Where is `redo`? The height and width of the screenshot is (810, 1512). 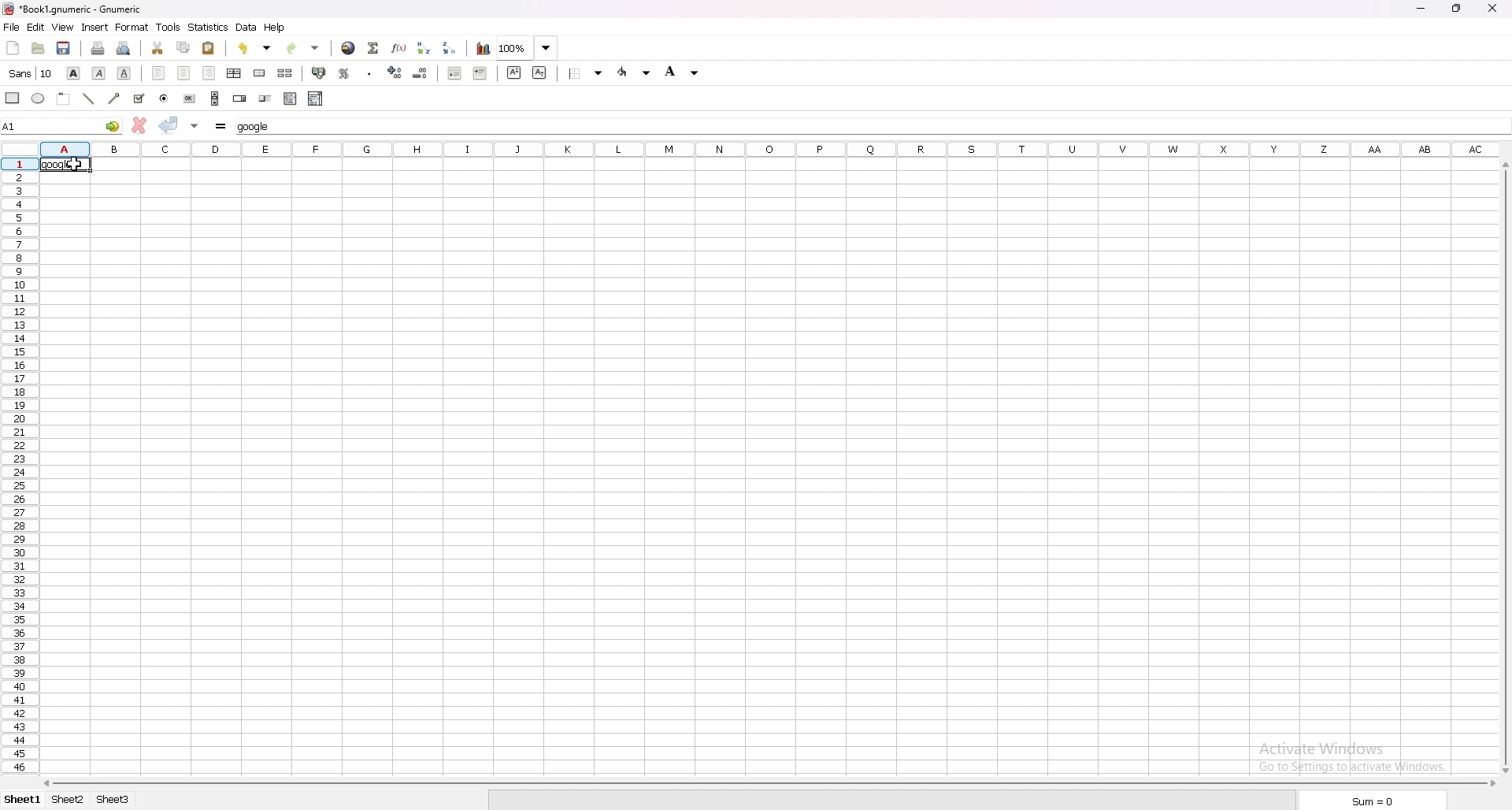
redo is located at coordinates (304, 48).